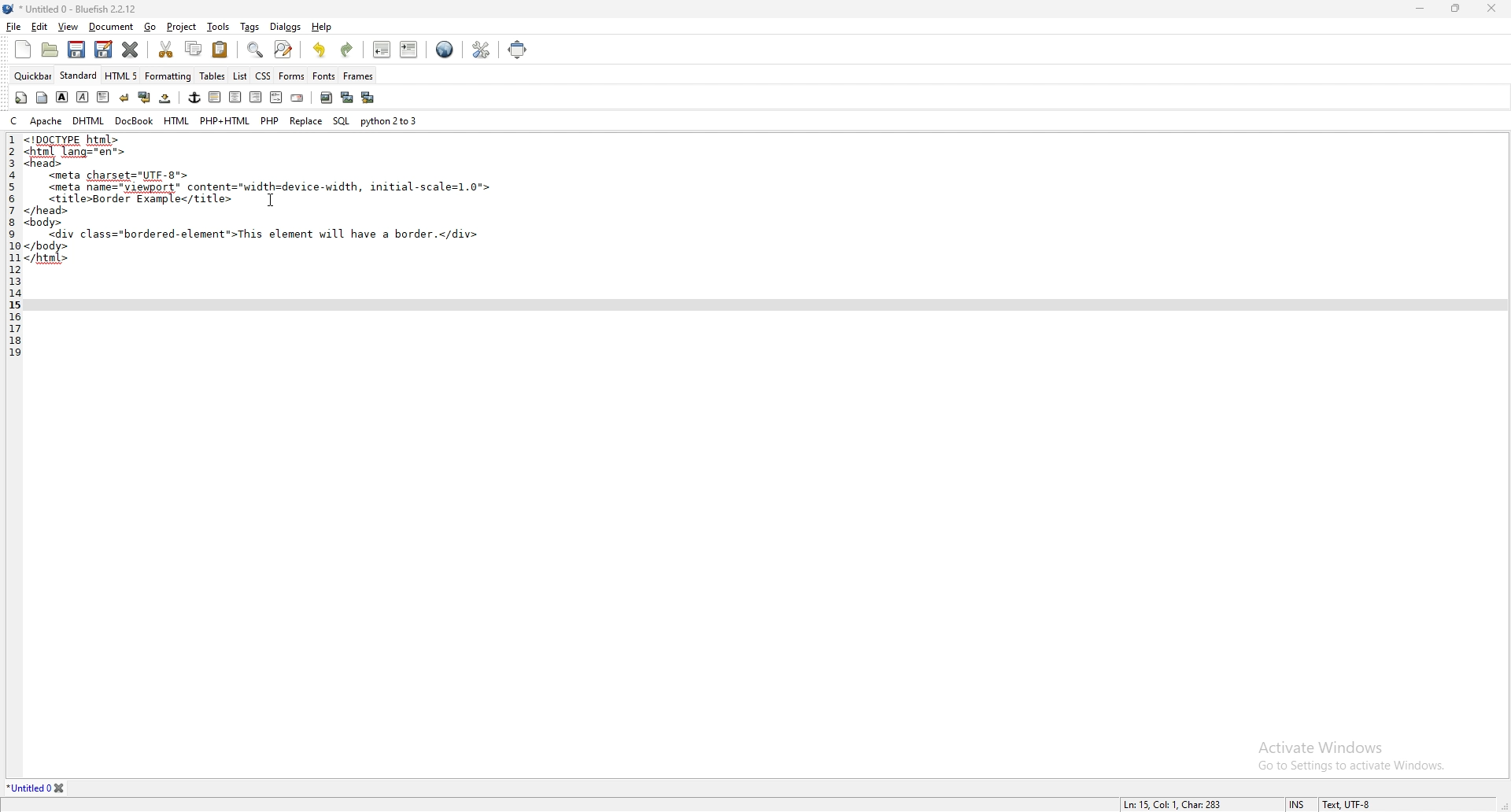 The width and height of the screenshot is (1511, 812). What do you see at coordinates (13, 27) in the screenshot?
I see `file` at bounding box center [13, 27].